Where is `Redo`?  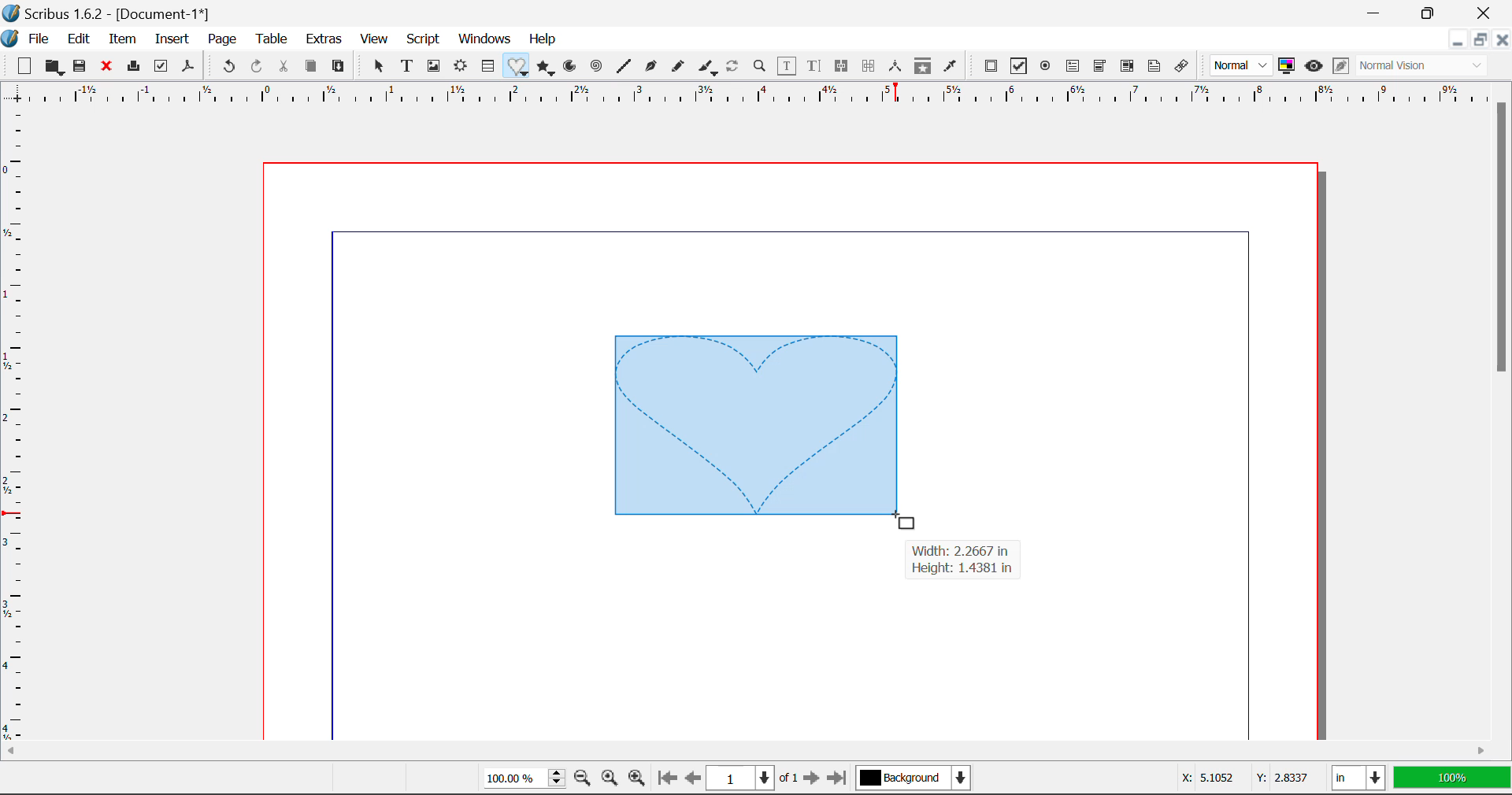
Redo is located at coordinates (256, 65).